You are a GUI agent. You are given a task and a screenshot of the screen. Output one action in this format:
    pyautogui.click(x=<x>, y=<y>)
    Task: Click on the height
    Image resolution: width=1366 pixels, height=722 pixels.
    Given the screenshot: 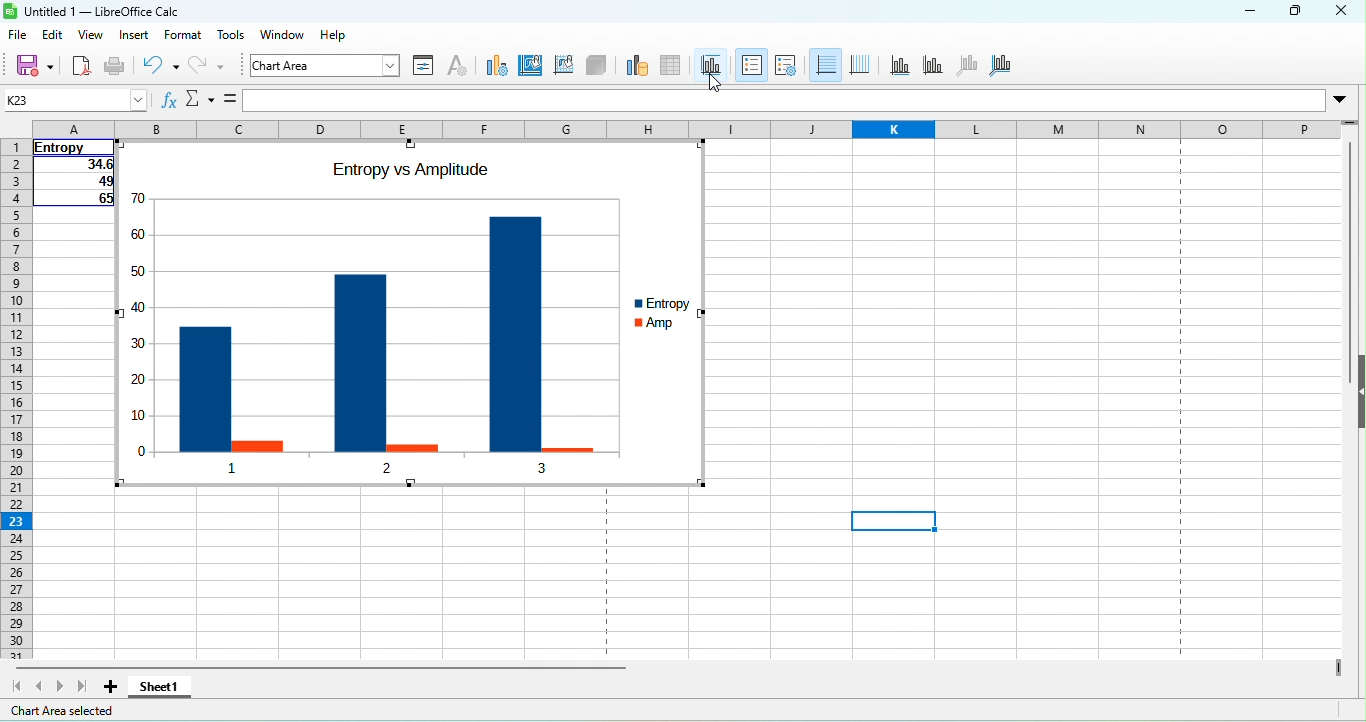 What is the action you would take?
    pyautogui.click(x=1357, y=393)
    